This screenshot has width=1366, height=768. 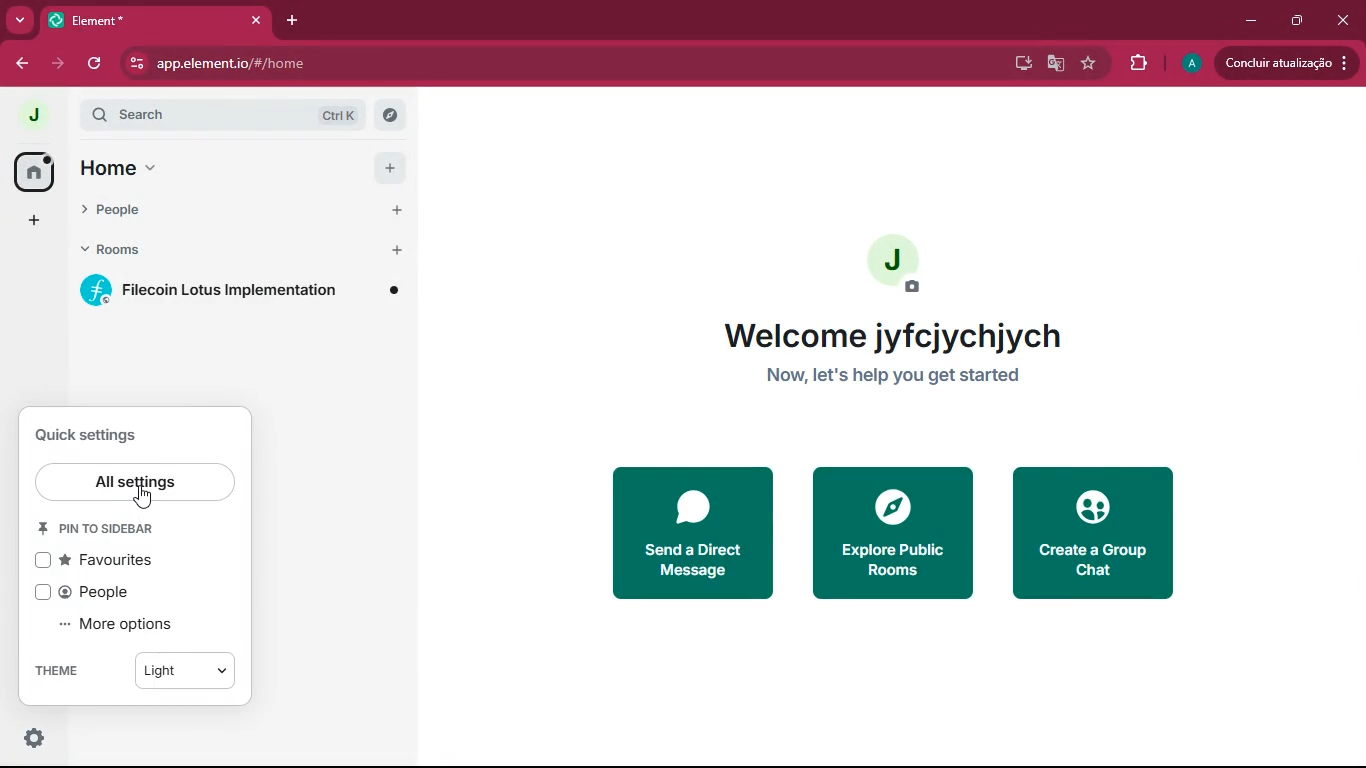 I want to click on minimize, so click(x=1247, y=21).